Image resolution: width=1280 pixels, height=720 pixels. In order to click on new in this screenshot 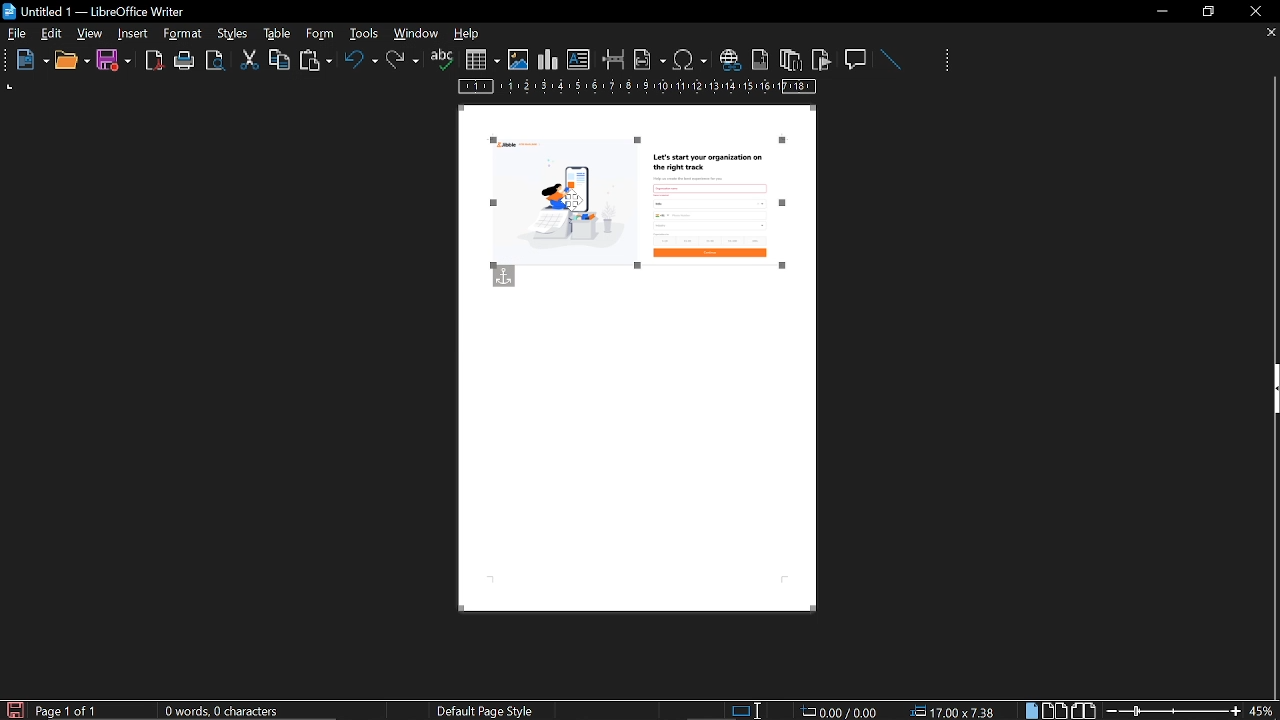, I will do `click(27, 61)`.